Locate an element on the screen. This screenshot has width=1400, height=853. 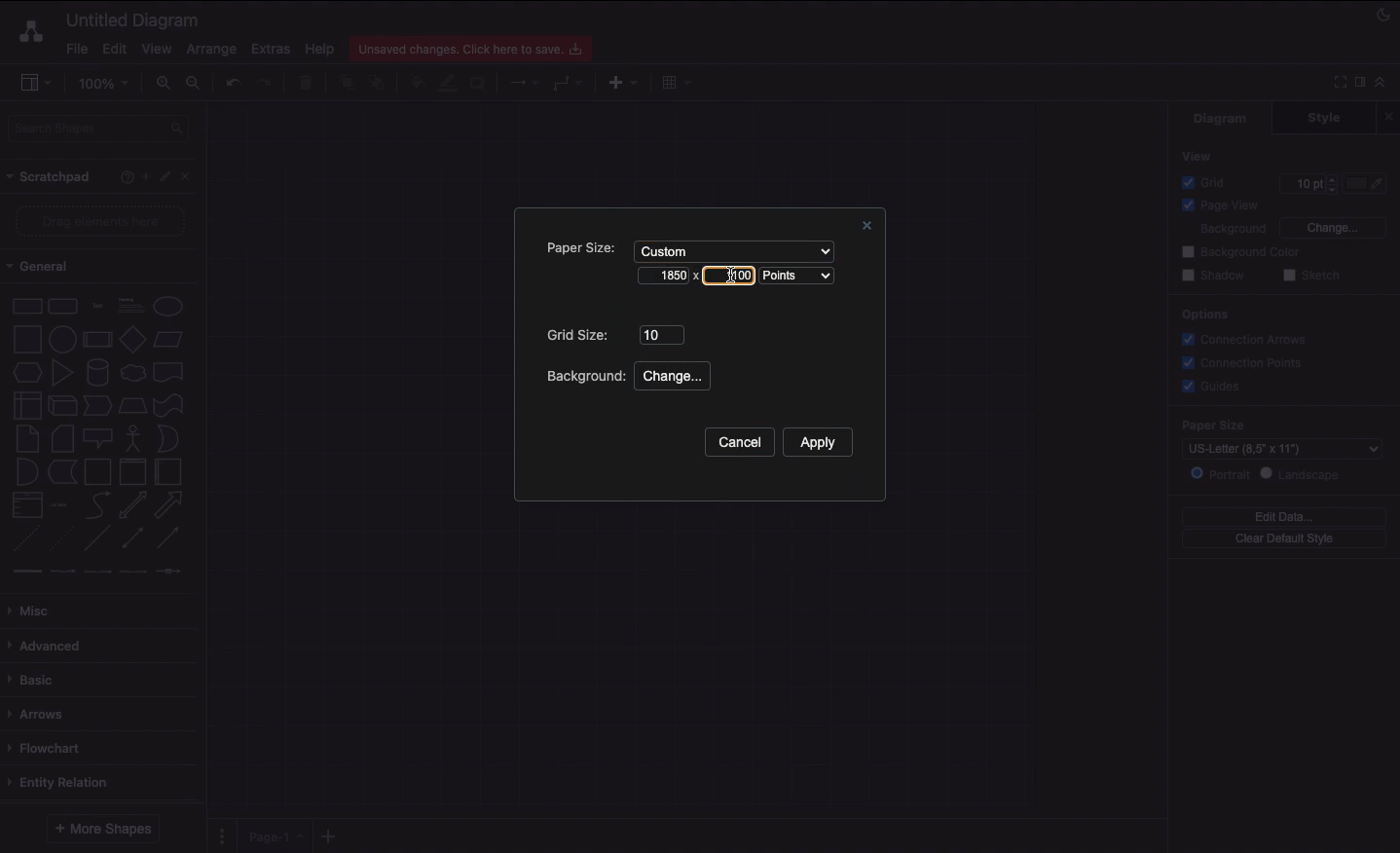
Correction arrows is located at coordinates (1241, 338).